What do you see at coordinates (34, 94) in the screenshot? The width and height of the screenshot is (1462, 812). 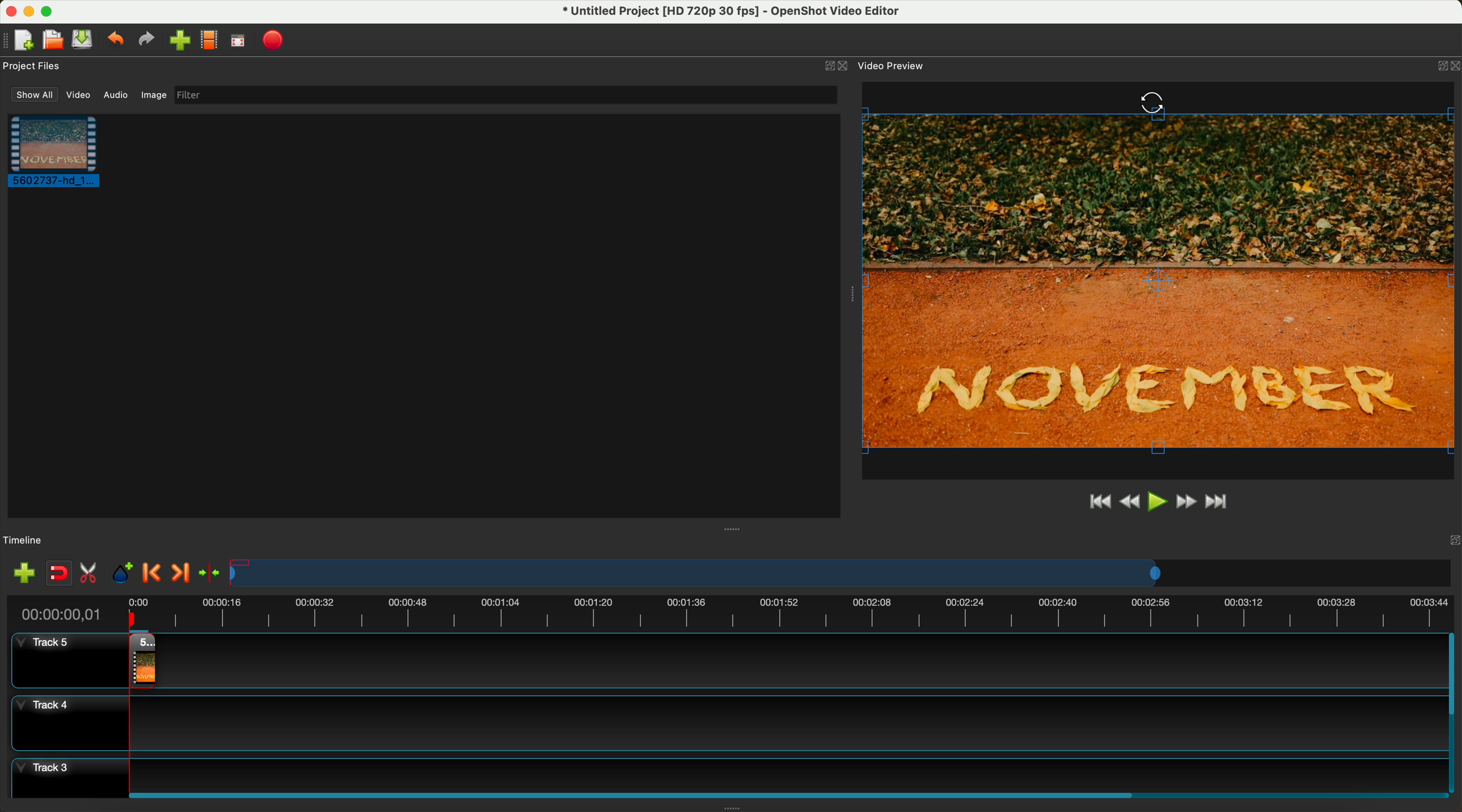 I see `show all` at bounding box center [34, 94].